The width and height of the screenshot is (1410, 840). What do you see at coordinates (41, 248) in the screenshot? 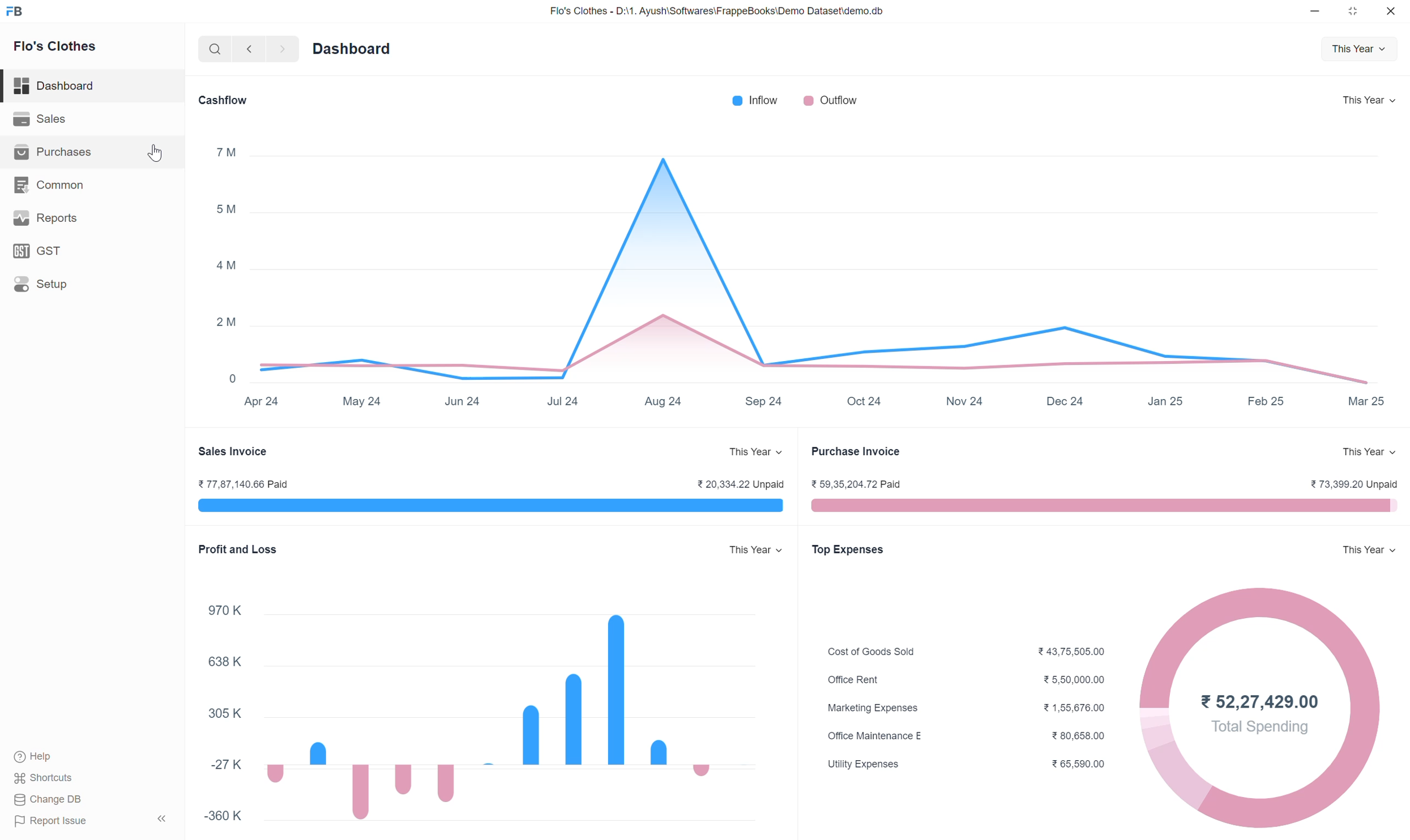
I see `| GST` at bounding box center [41, 248].